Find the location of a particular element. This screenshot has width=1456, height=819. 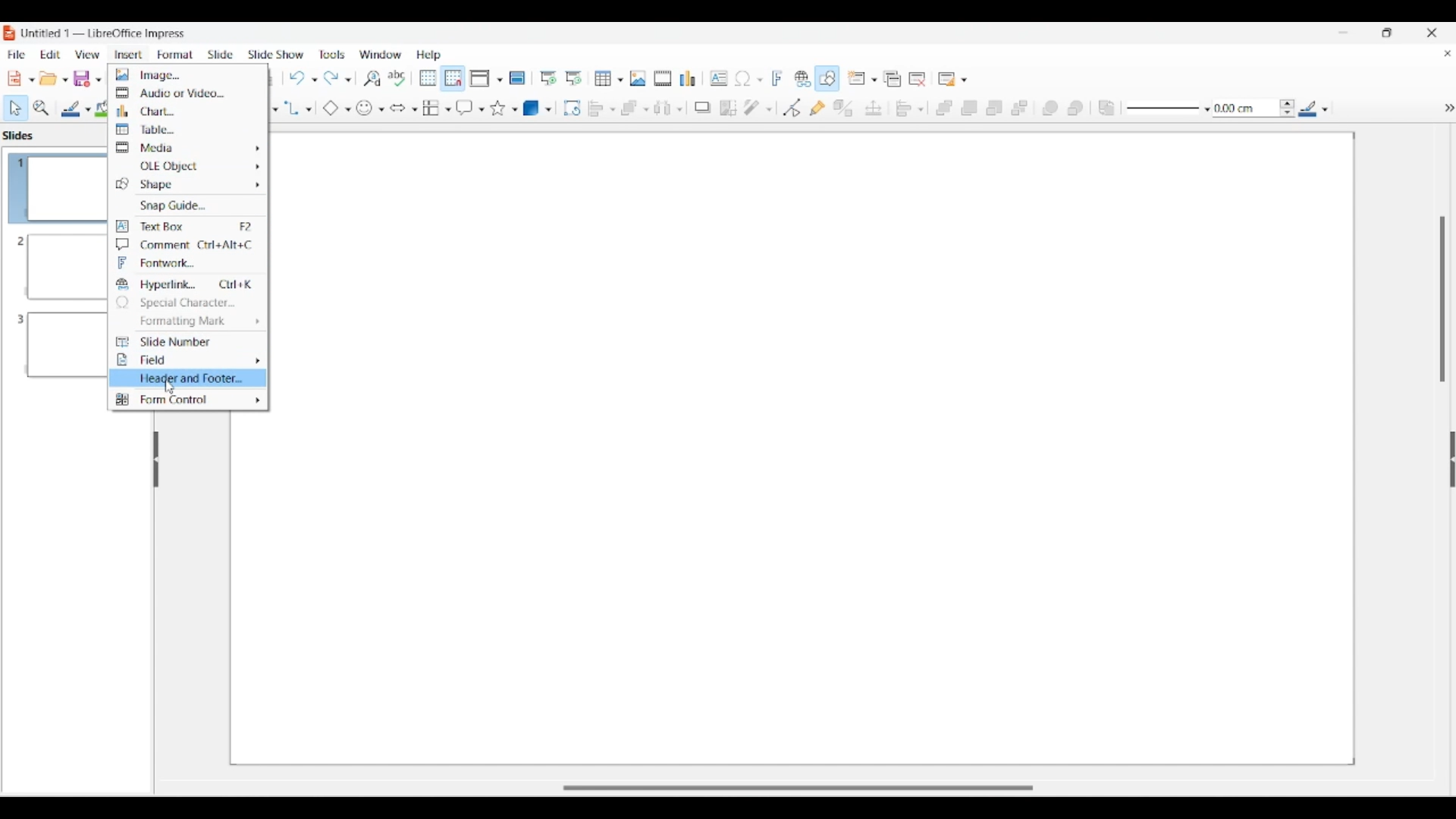

Input line thickness is located at coordinates (1245, 108).